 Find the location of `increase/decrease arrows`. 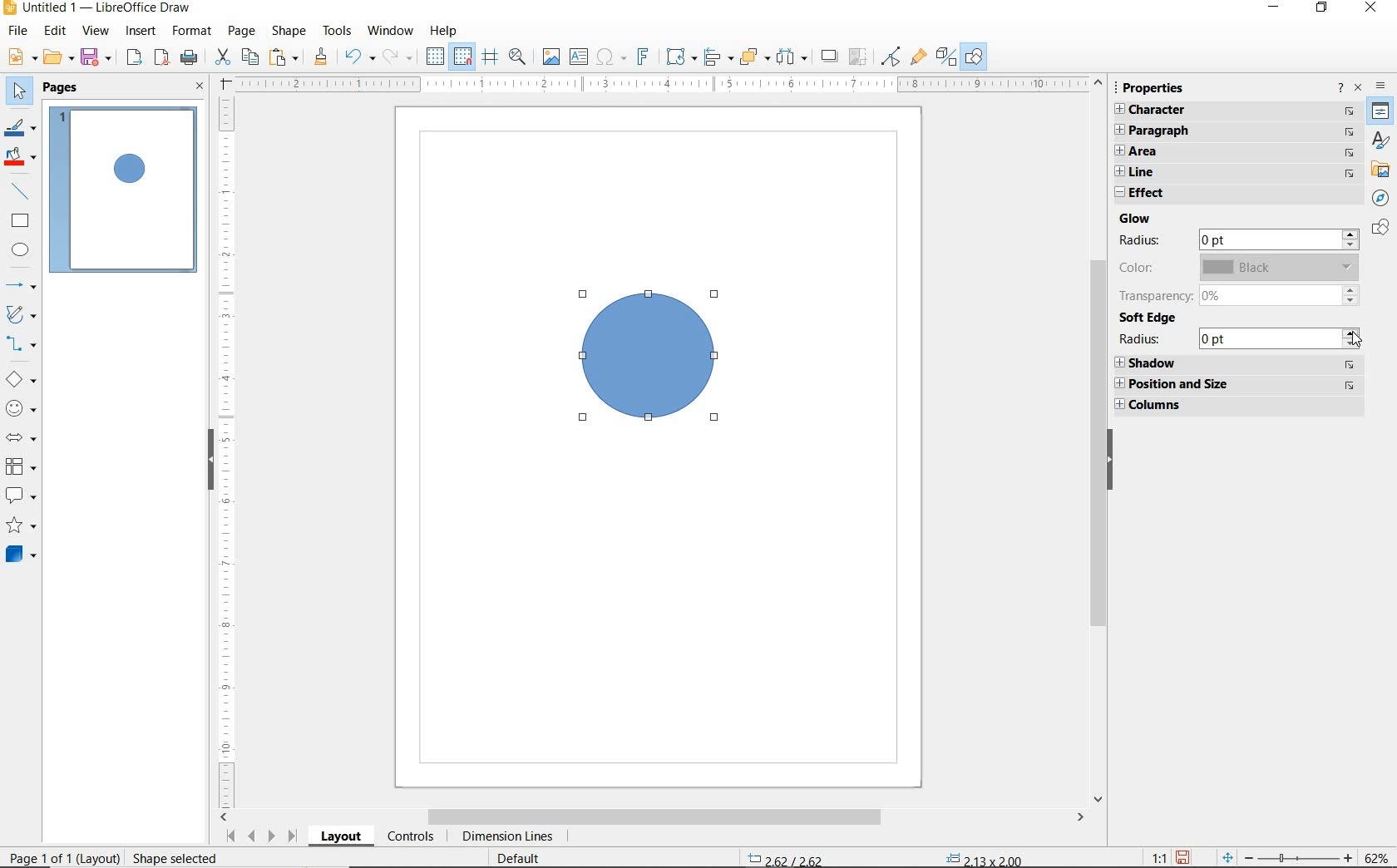

increase/decrease arrows is located at coordinates (1352, 292).